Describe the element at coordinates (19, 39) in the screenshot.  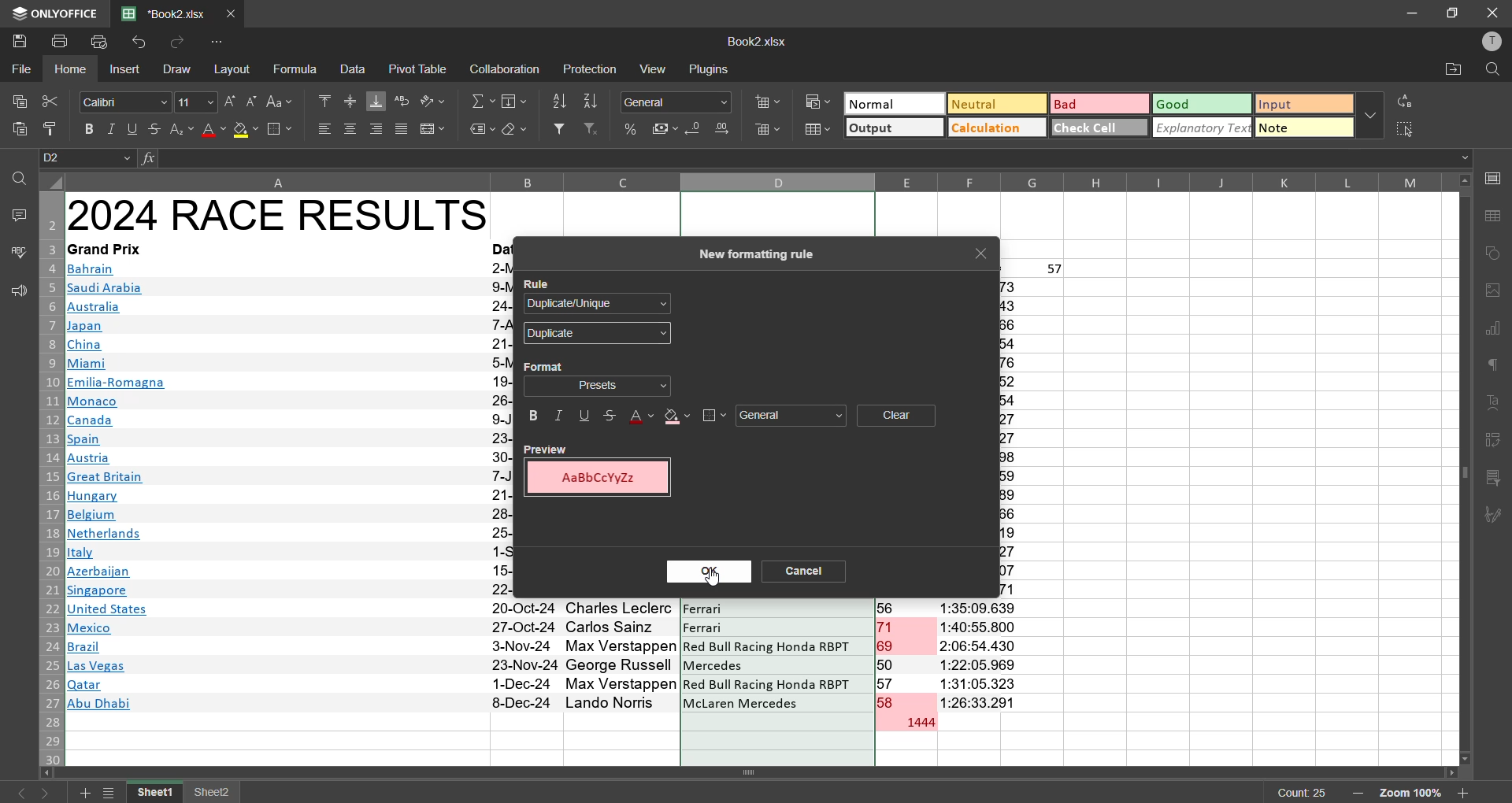
I see `save` at that location.